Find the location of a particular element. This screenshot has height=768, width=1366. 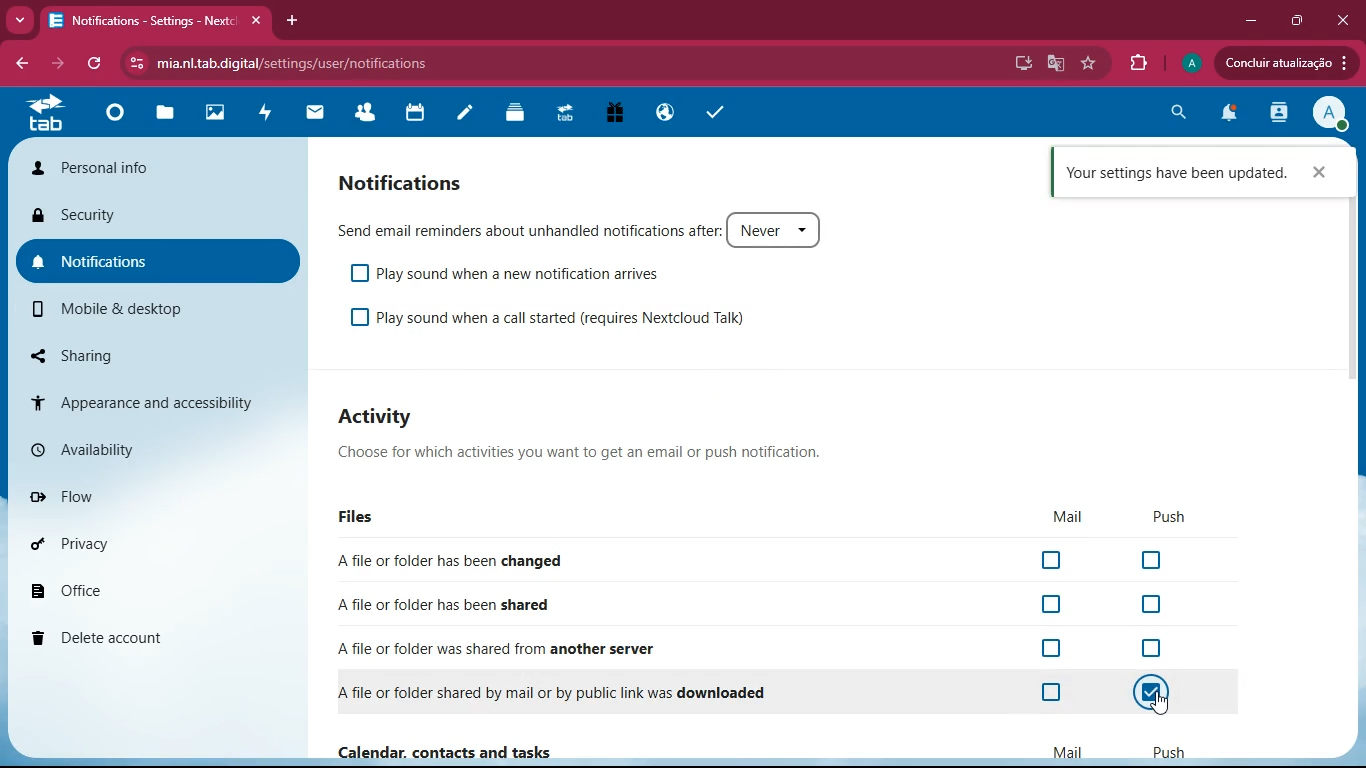

Notifications - Settings - Nextc is located at coordinates (156, 21).